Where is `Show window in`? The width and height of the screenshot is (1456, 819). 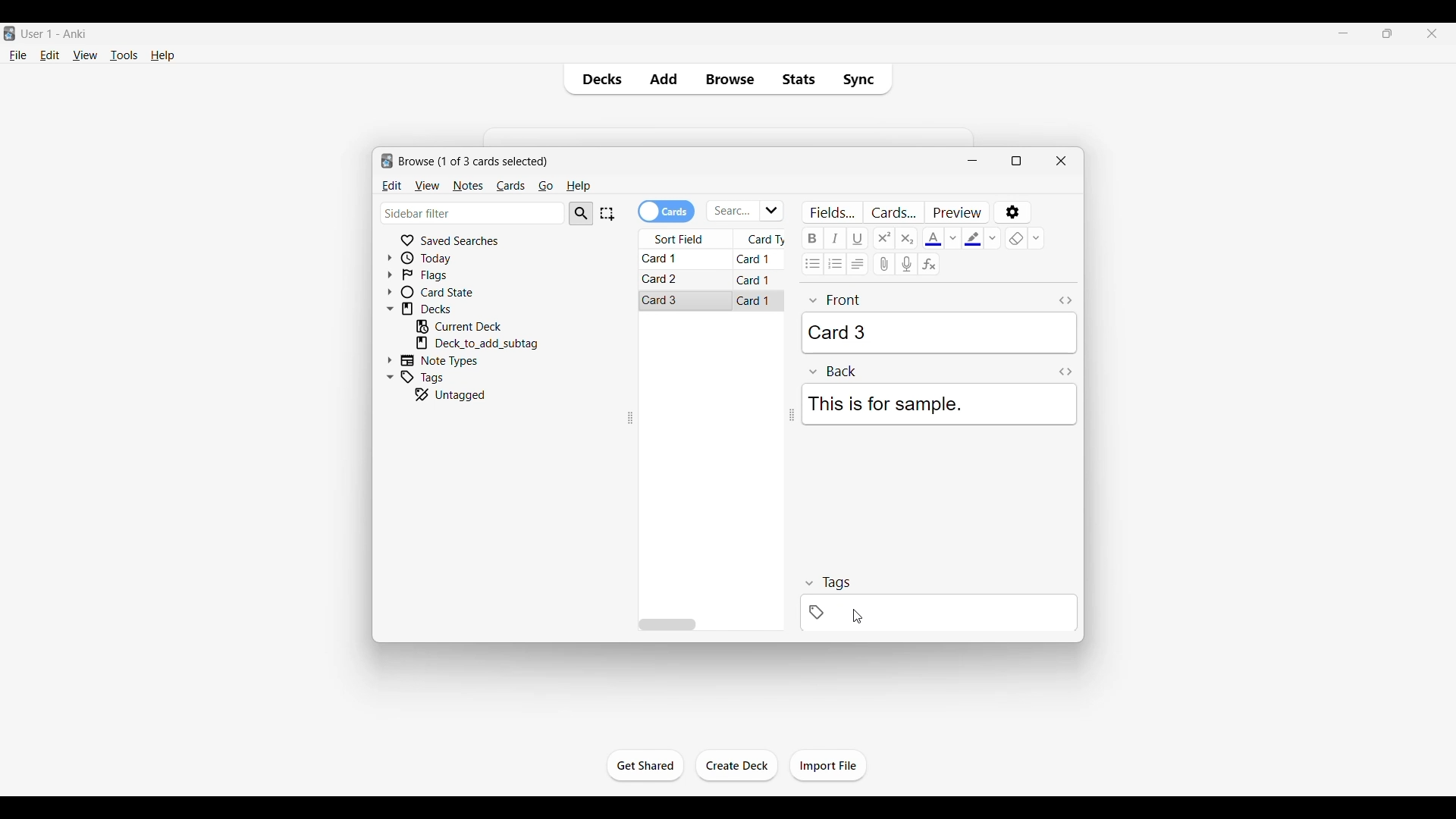 Show window in is located at coordinates (1017, 161).